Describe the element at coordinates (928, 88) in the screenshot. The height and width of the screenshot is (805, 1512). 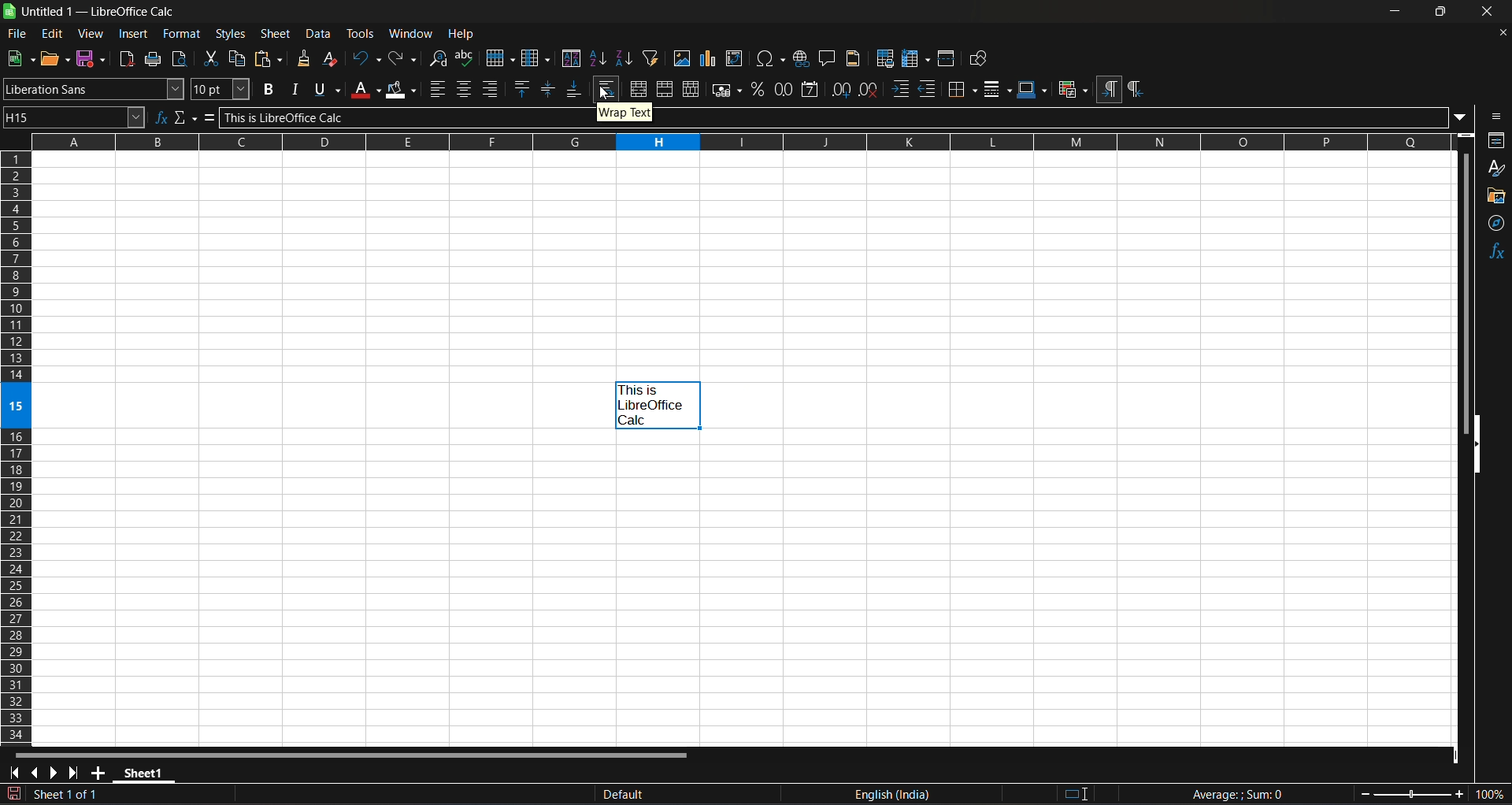
I see `decrease indent` at that location.